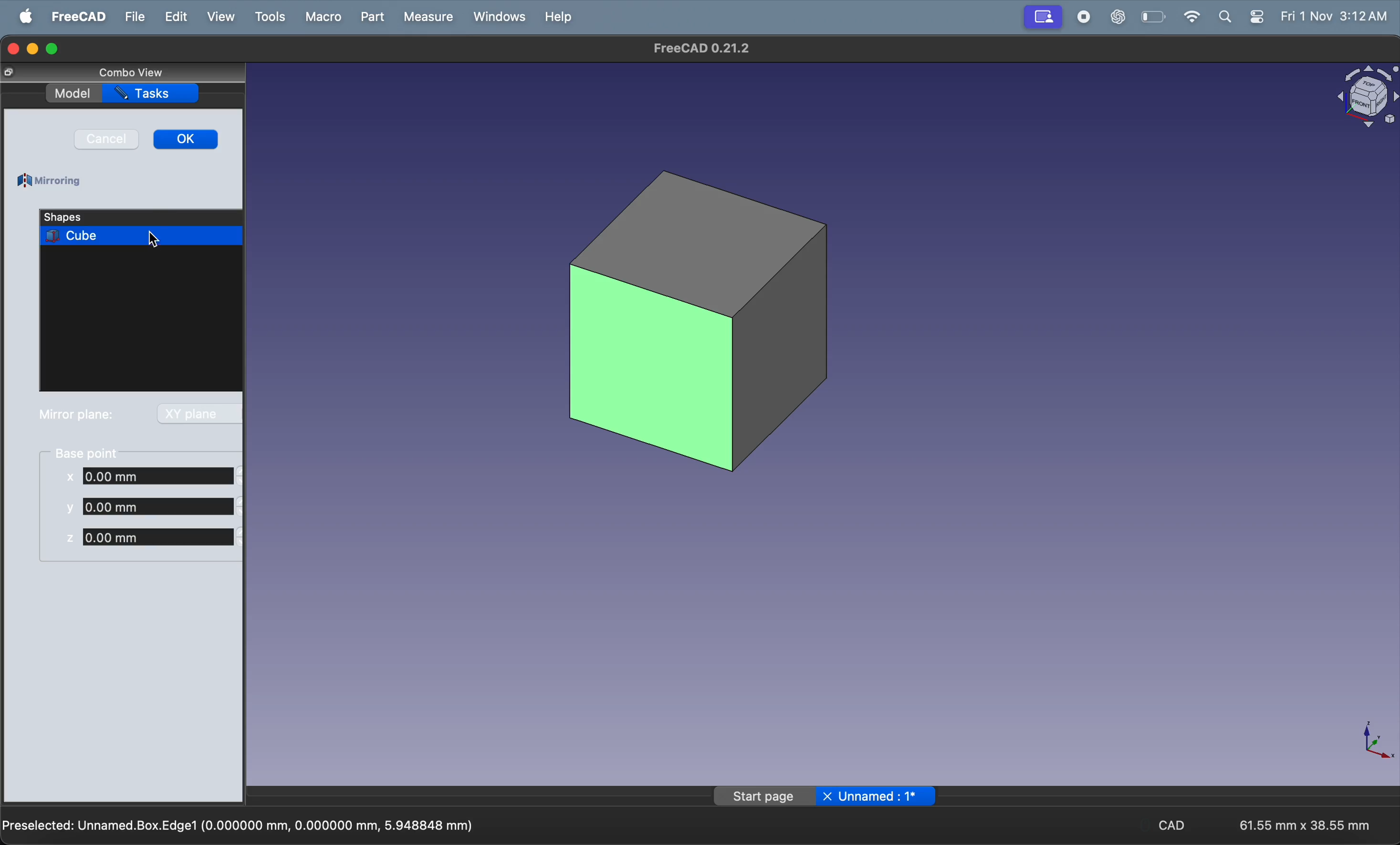  What do you see at coordinates (153, 478) in the screenshot?
I see `x coordinate` at bounding box center [153, 478].